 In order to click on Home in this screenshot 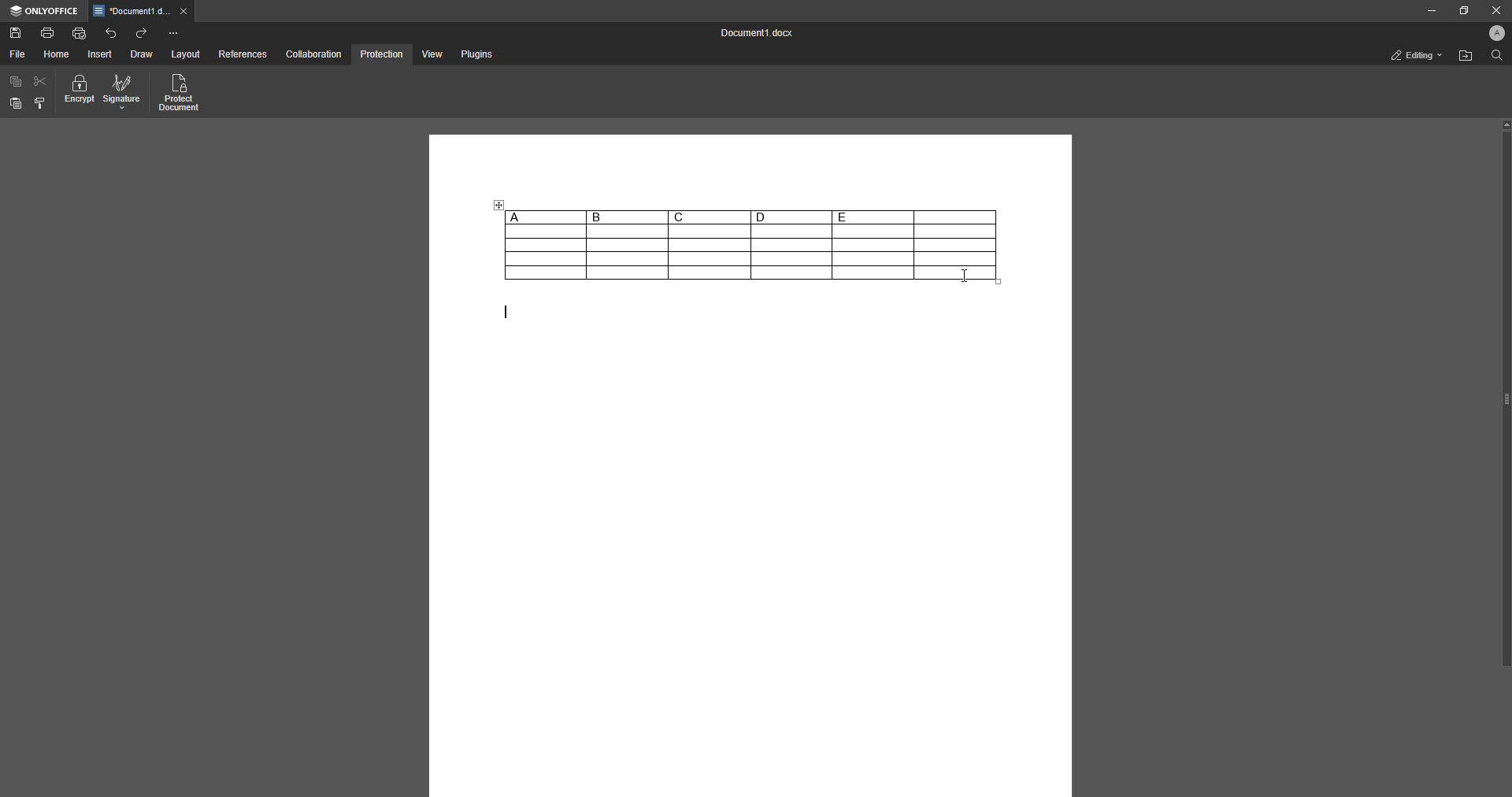, I will do `click(57, 54)`.